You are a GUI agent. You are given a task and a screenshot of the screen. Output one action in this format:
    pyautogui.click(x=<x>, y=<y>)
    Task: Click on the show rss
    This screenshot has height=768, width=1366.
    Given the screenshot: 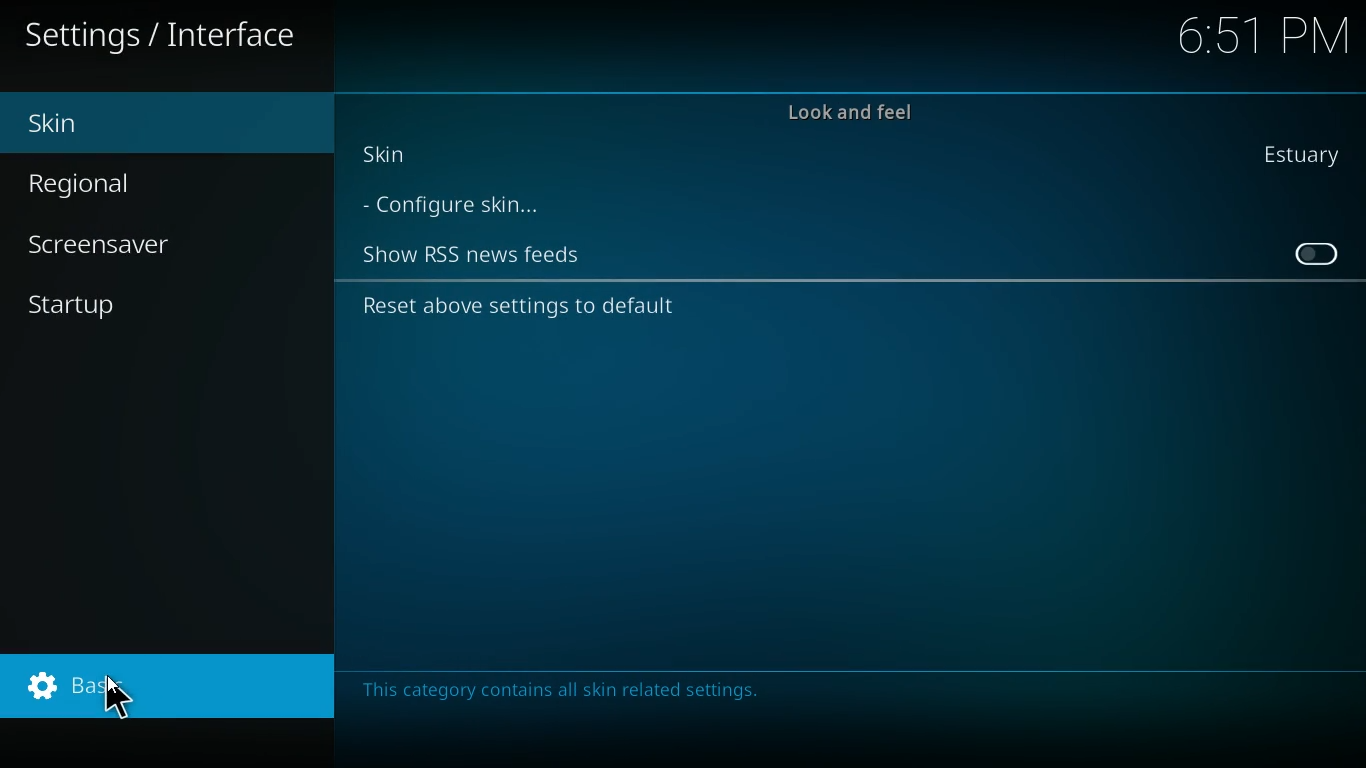 What is the action you would take?
    pyautogui.click(x=473, y=255)
    